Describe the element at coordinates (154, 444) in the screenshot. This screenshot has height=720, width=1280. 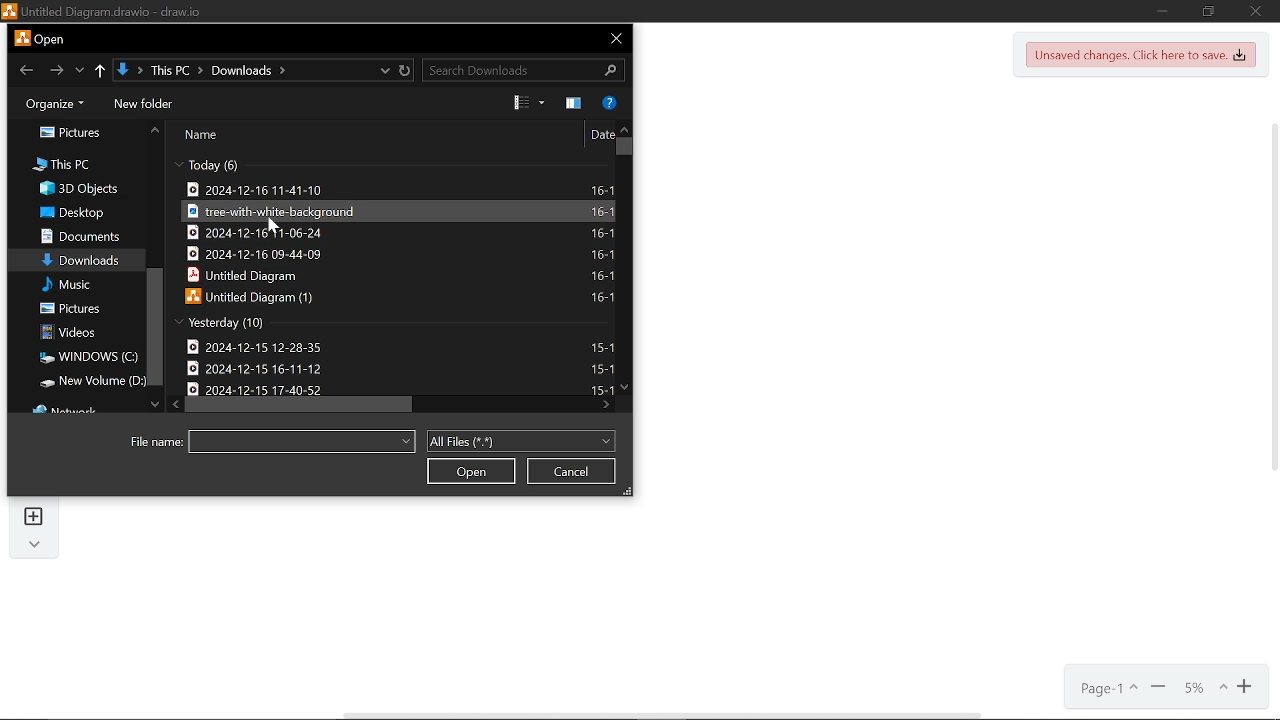
I see `file name` at that location.